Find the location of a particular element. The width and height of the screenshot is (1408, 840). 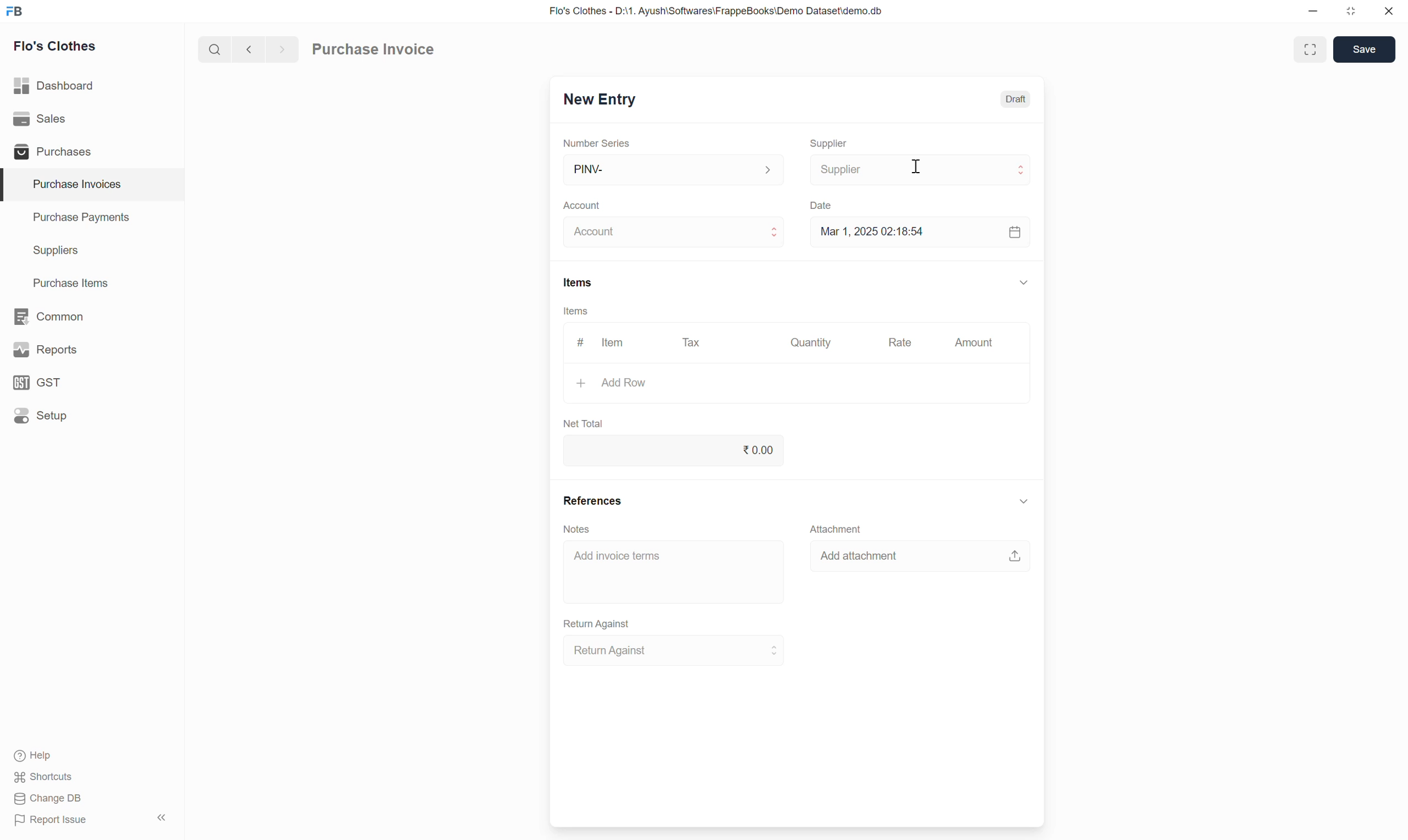

Account is located at coordinates (675, 232).